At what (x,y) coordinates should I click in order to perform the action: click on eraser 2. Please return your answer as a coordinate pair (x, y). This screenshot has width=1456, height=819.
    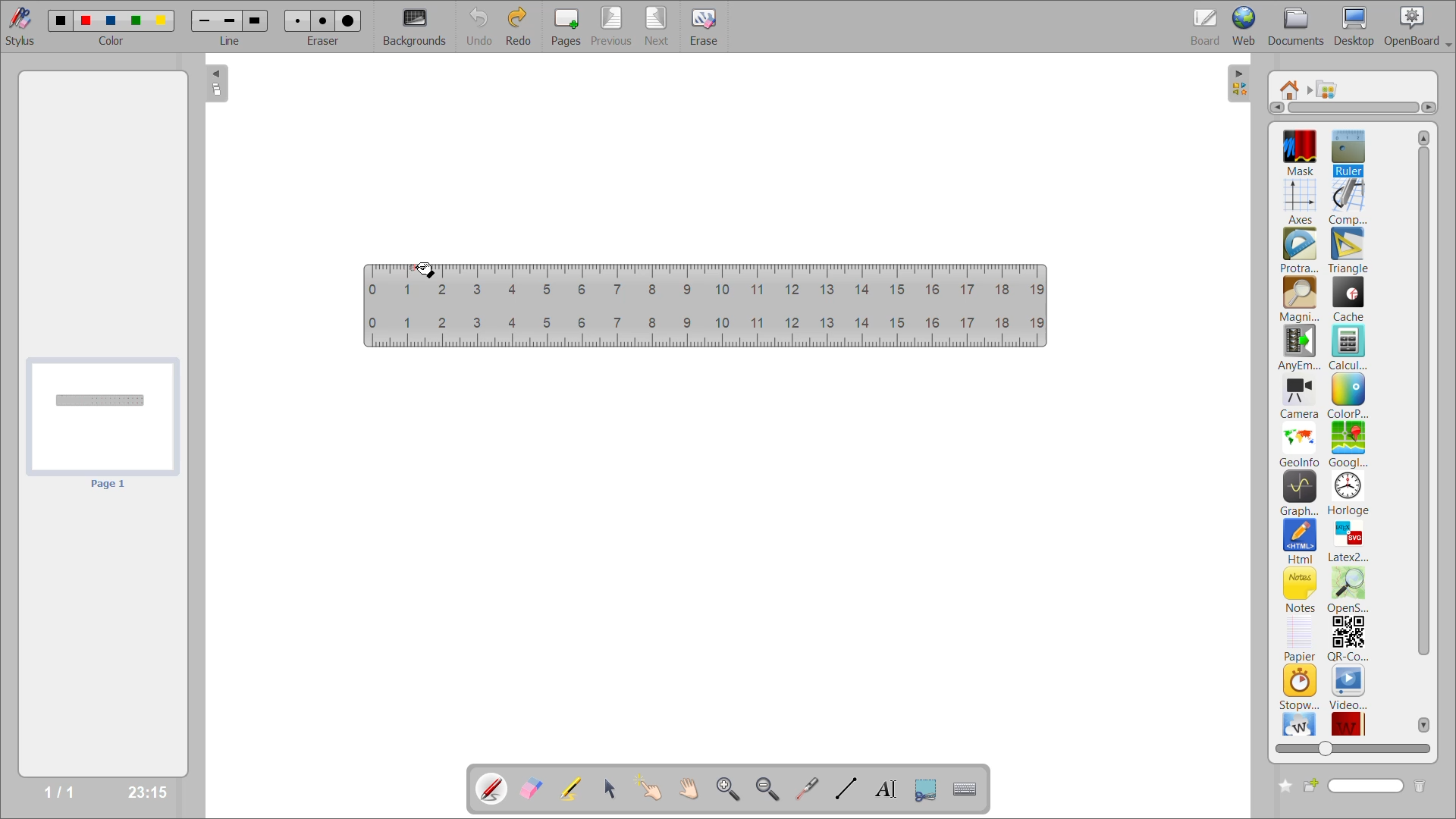
    Looking at the image, I should click on (323, 20).